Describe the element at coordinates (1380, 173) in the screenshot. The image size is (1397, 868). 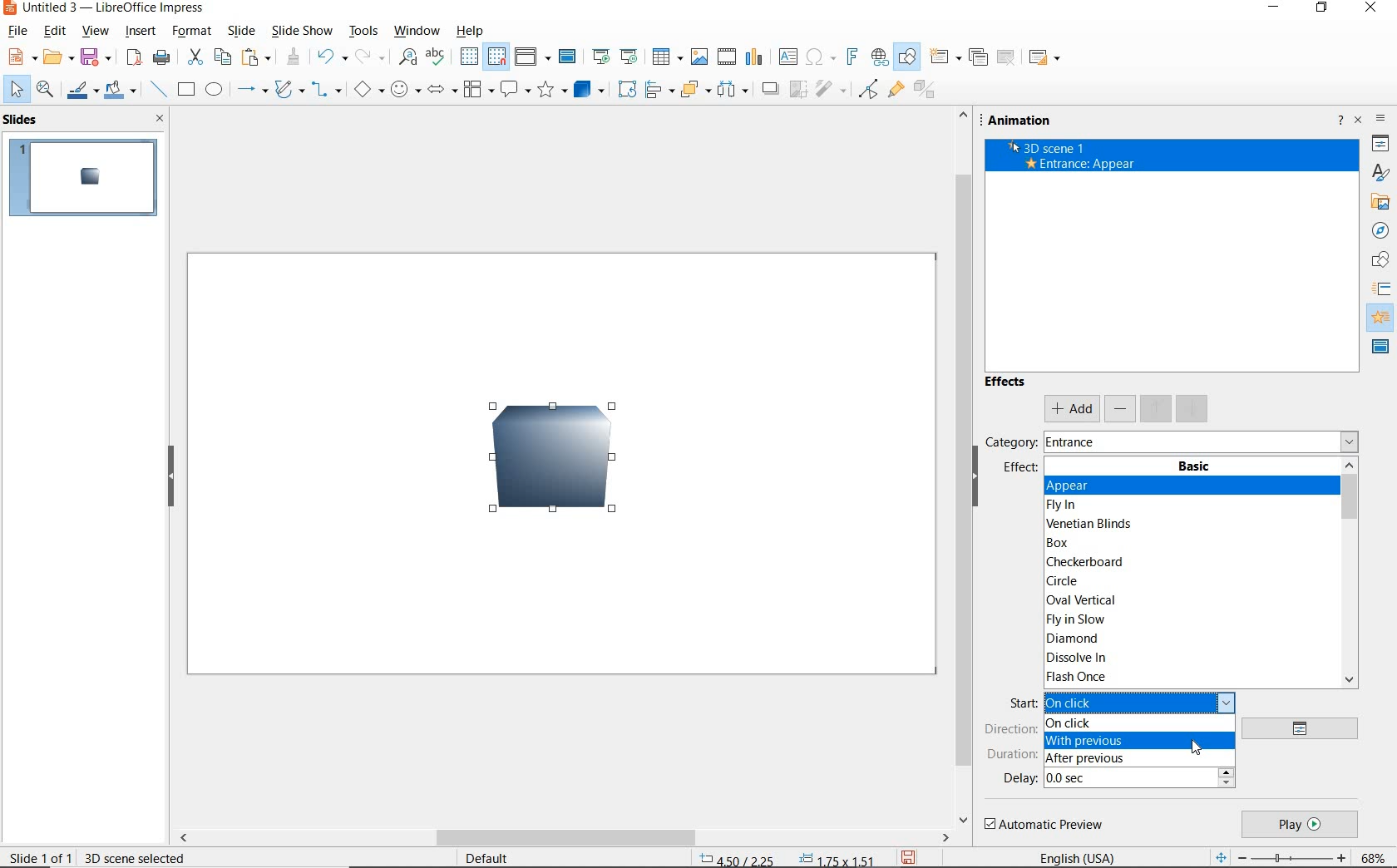
I see `STYLES` at that location.